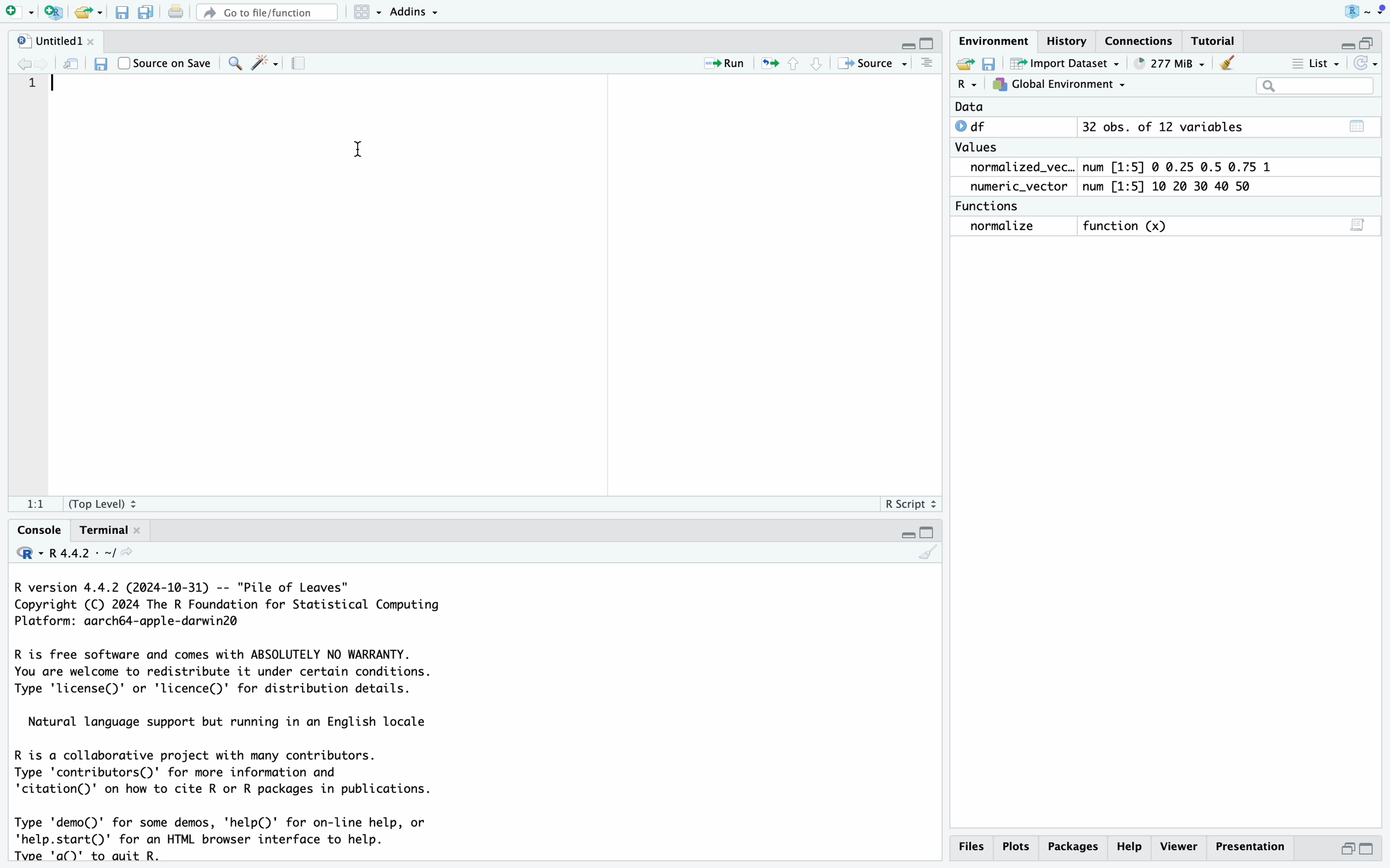 This screenshot has height=868, width=1390. What do you see at coordinates (1013, 227) in the screenshot?
I see `normalize` at bounding box center [1013, 227].